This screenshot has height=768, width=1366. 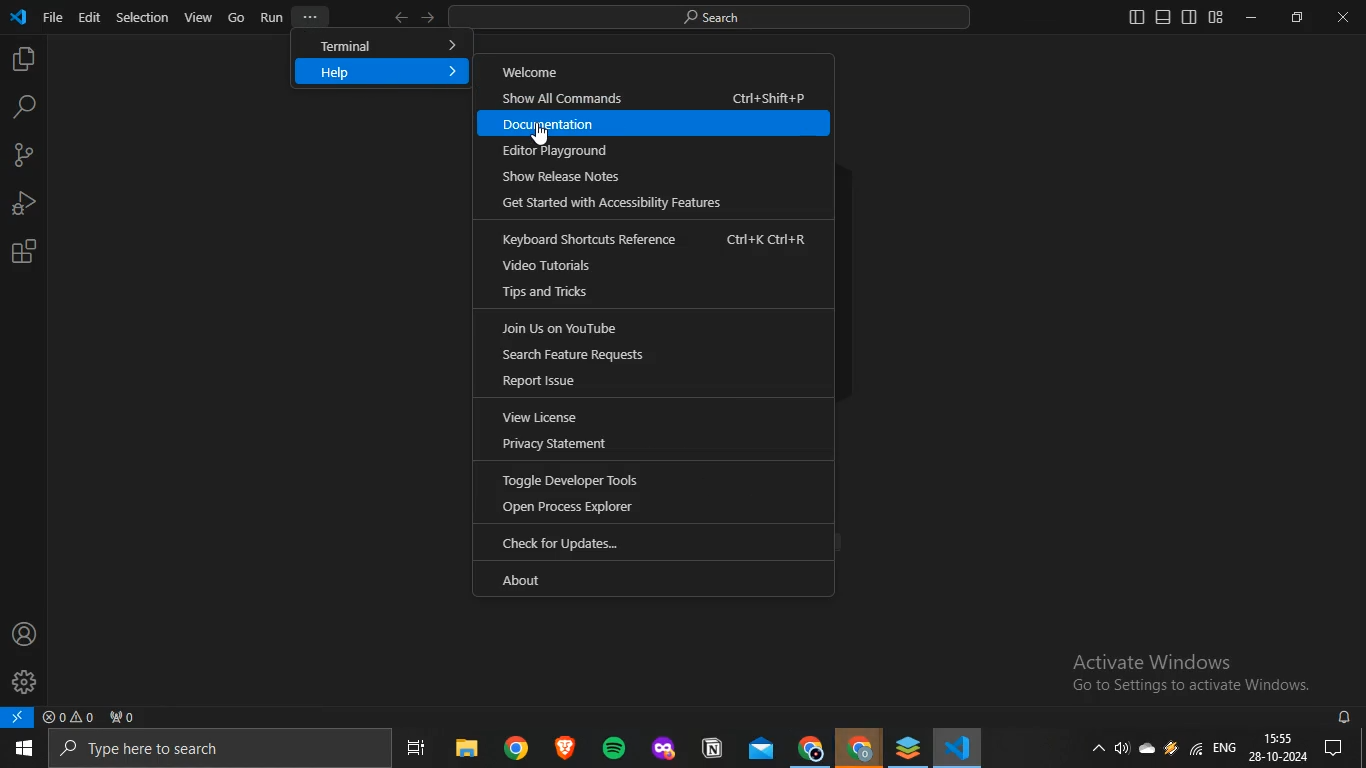 I want to click on show hidden icons, so click(x=1100, y=752).